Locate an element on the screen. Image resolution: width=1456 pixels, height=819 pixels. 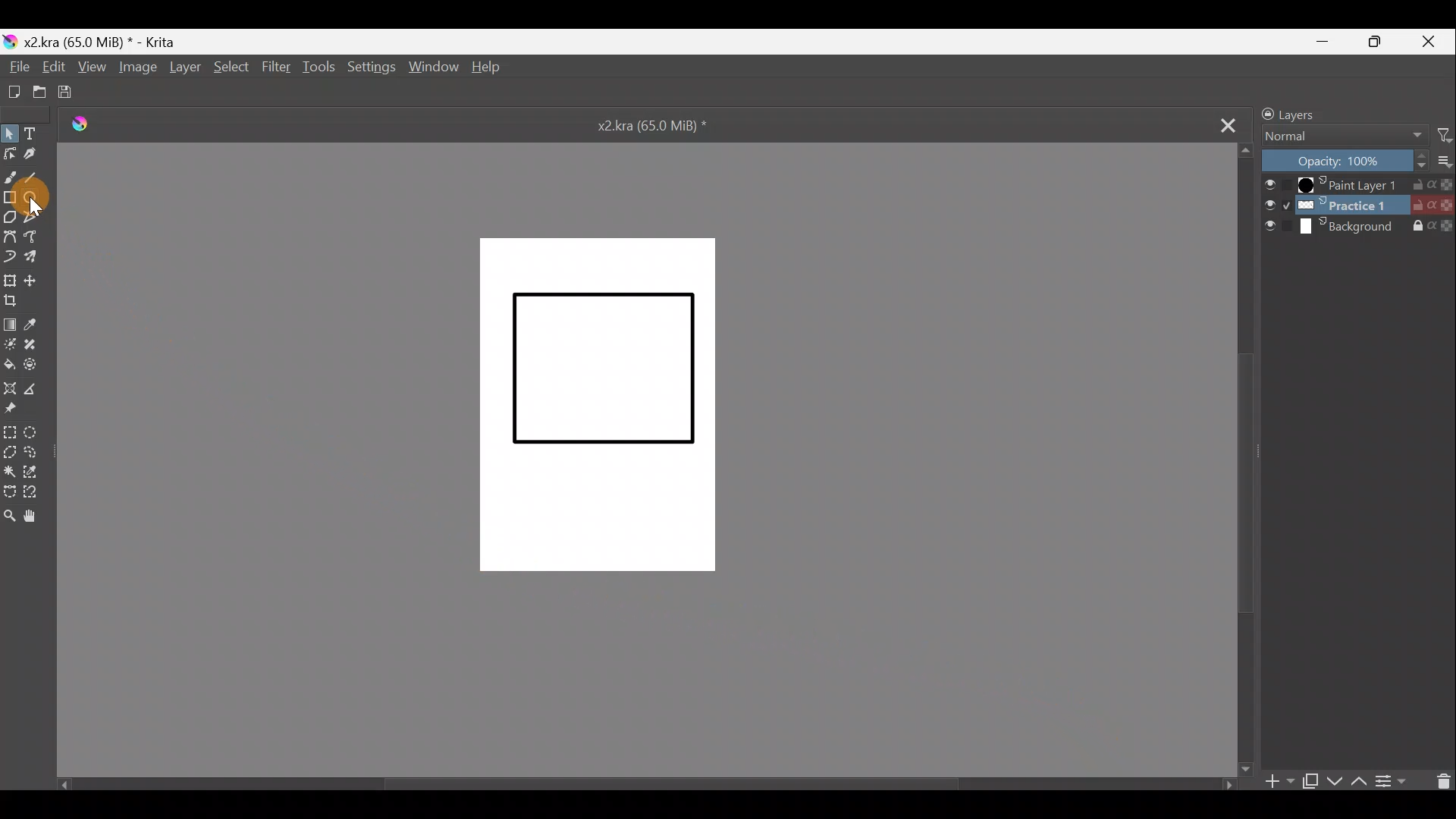
Tools is located at coordinates (322, 68).